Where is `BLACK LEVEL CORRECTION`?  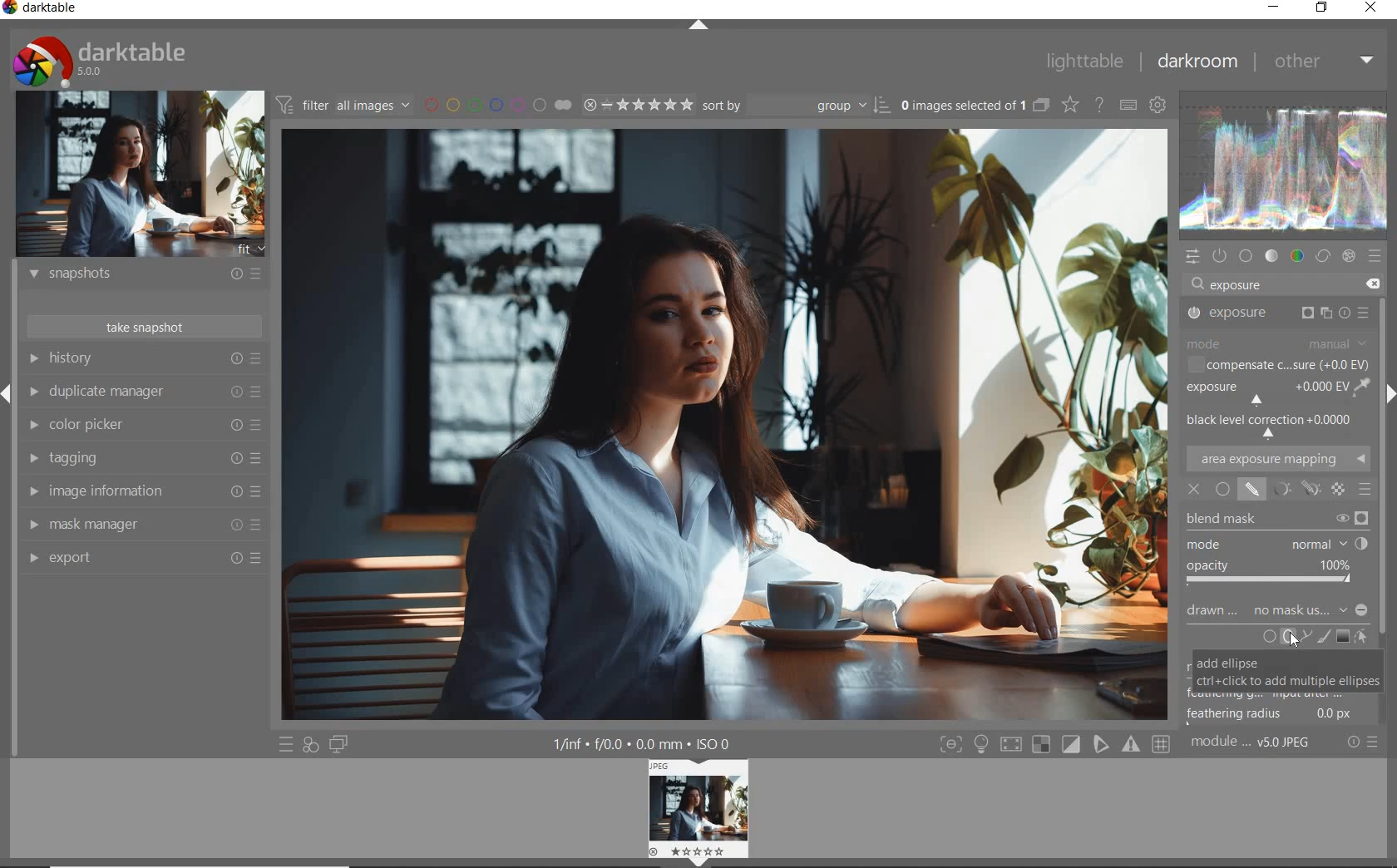 BLACK LEVEL CORRECTION is located at coordinates (1273, 422).